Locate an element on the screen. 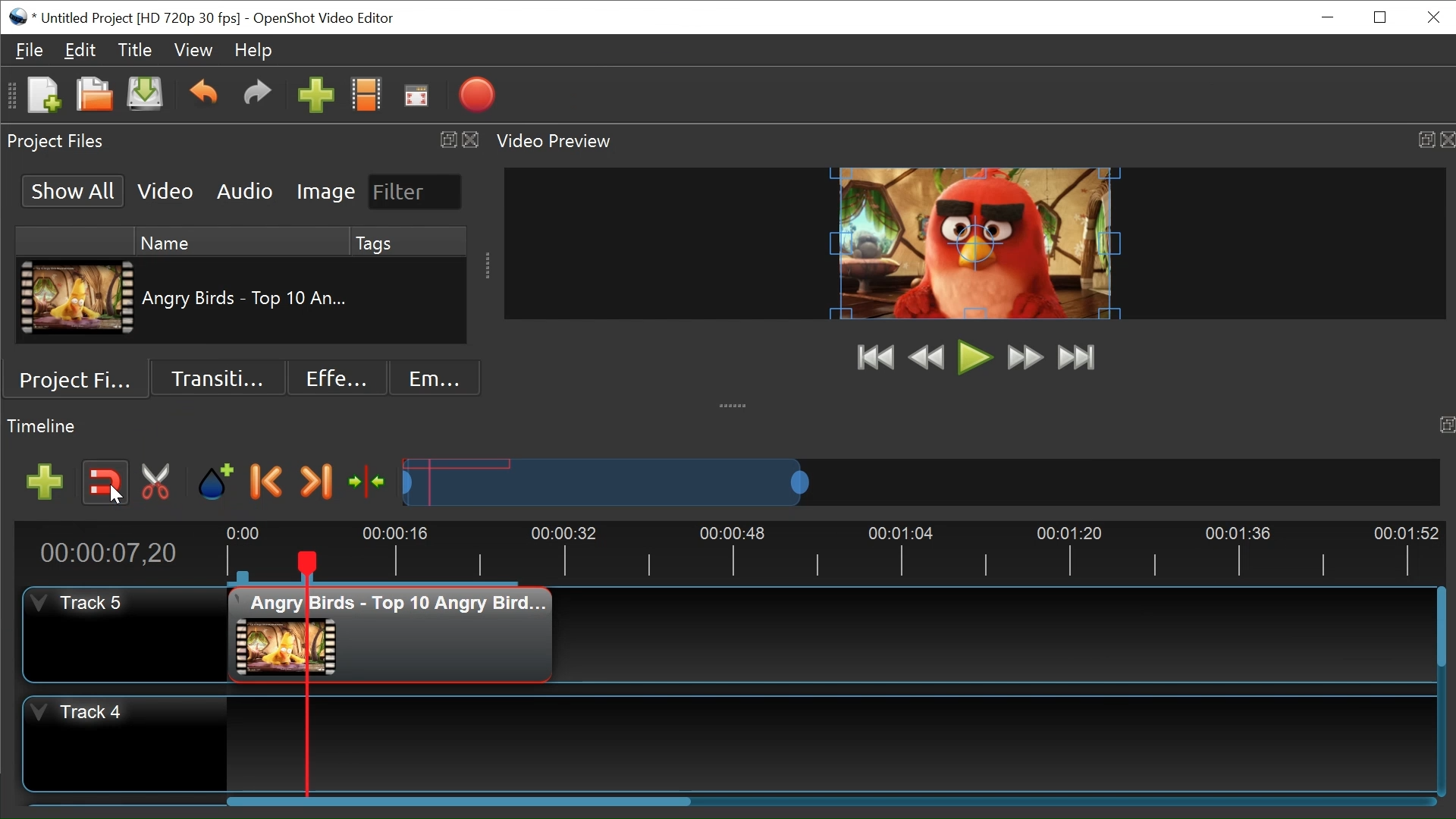 The height and width of the screenshot is (819, 1456). Snap is located at coordinates (105, 484).